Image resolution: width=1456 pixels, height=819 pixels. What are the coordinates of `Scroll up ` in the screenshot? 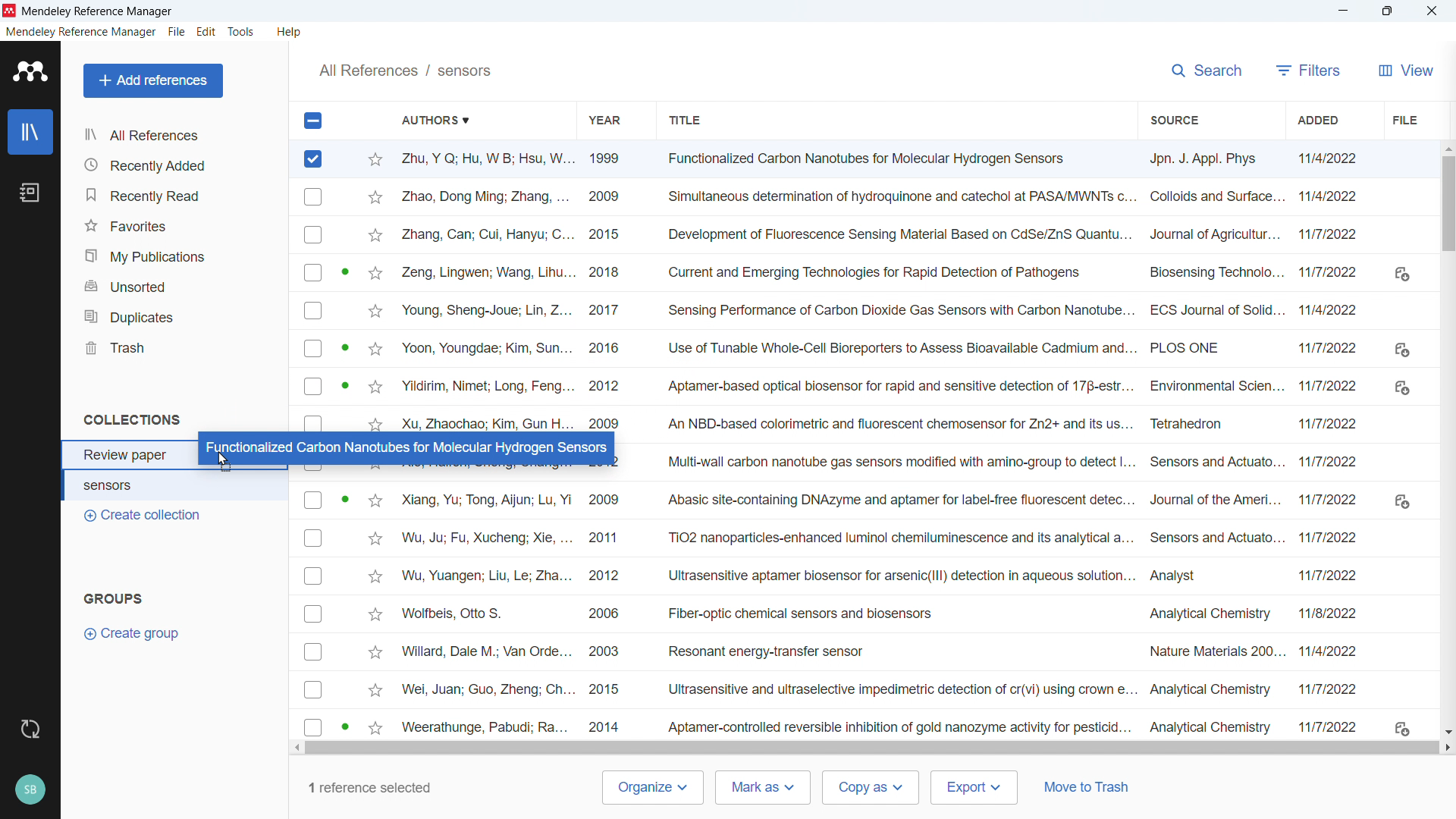 It's located at (1447, 147).